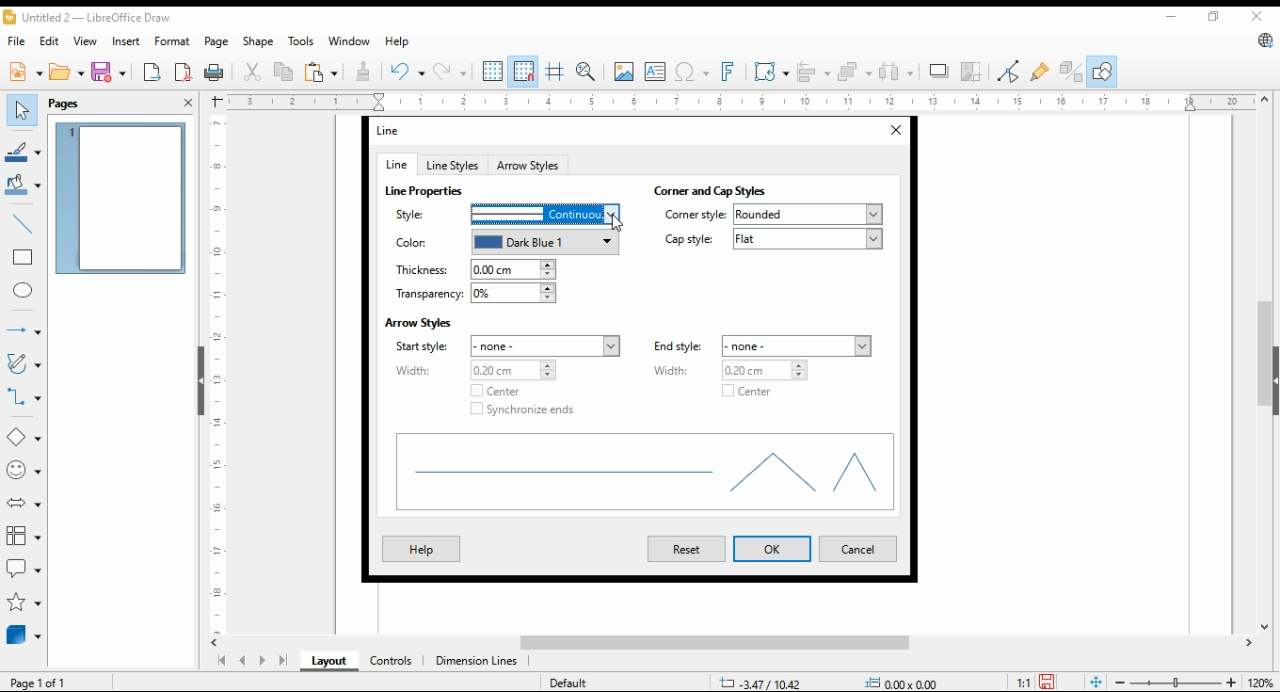 This screenshot has height=692, width=1280. What do you see at coordinates (739, 102) in the screenshot?
I see `horizontal scale` at bounding box center [739, 102].